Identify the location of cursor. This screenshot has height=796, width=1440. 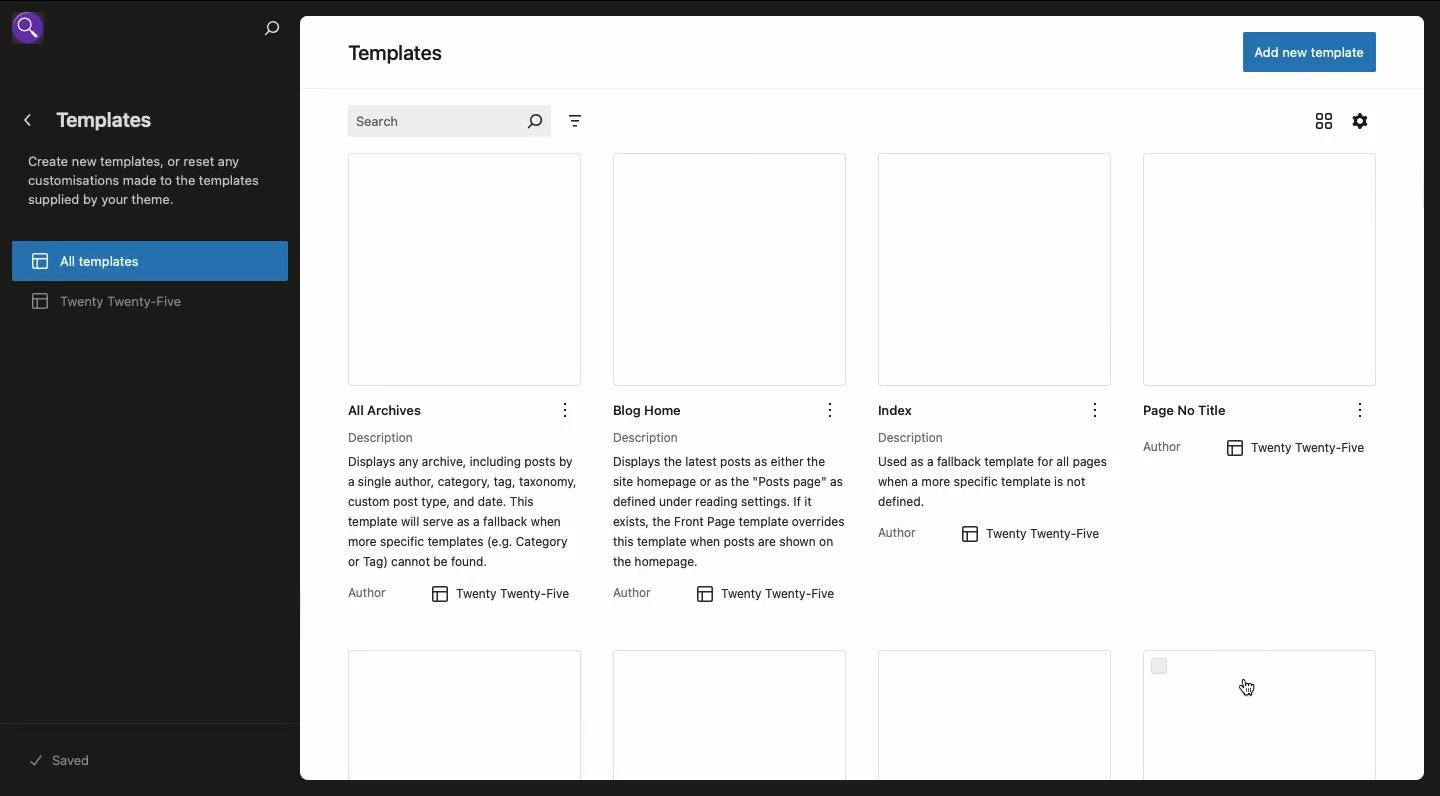
(1248, 688).